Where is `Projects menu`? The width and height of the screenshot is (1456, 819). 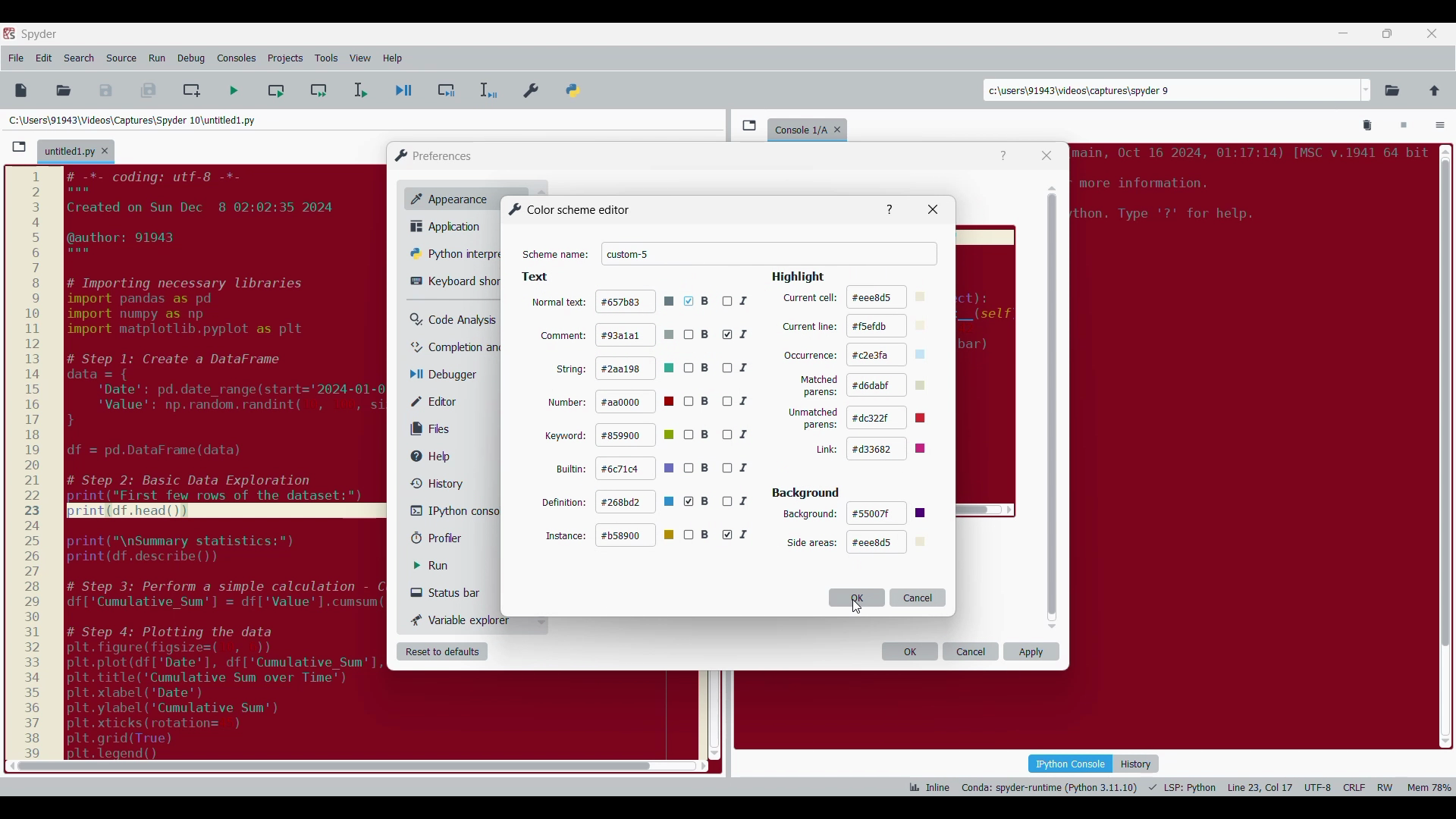 Projects menu is located at coordinates (285, 58).